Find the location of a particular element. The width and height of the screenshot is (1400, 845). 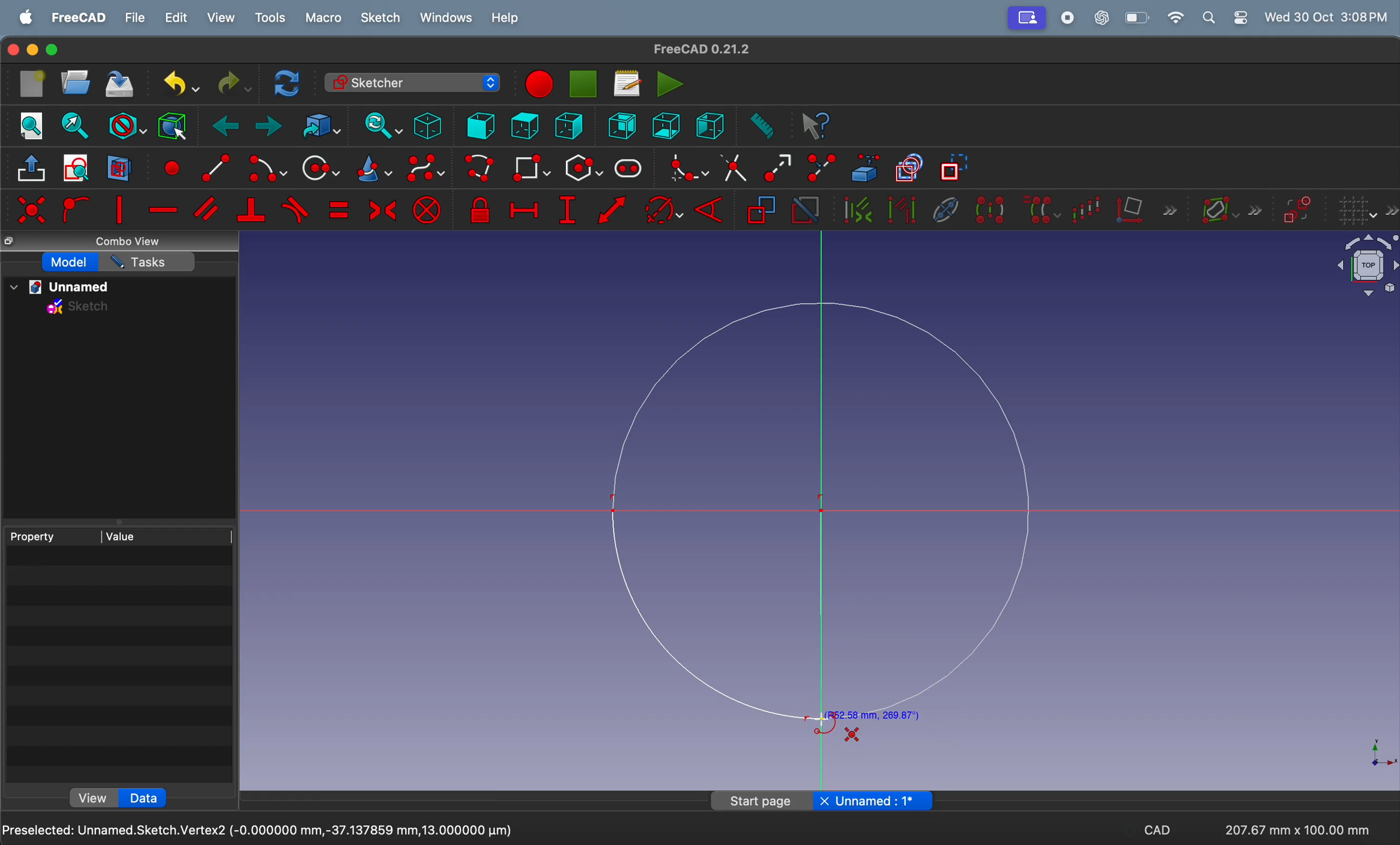

measure distance is located at coordinates (760, 127).